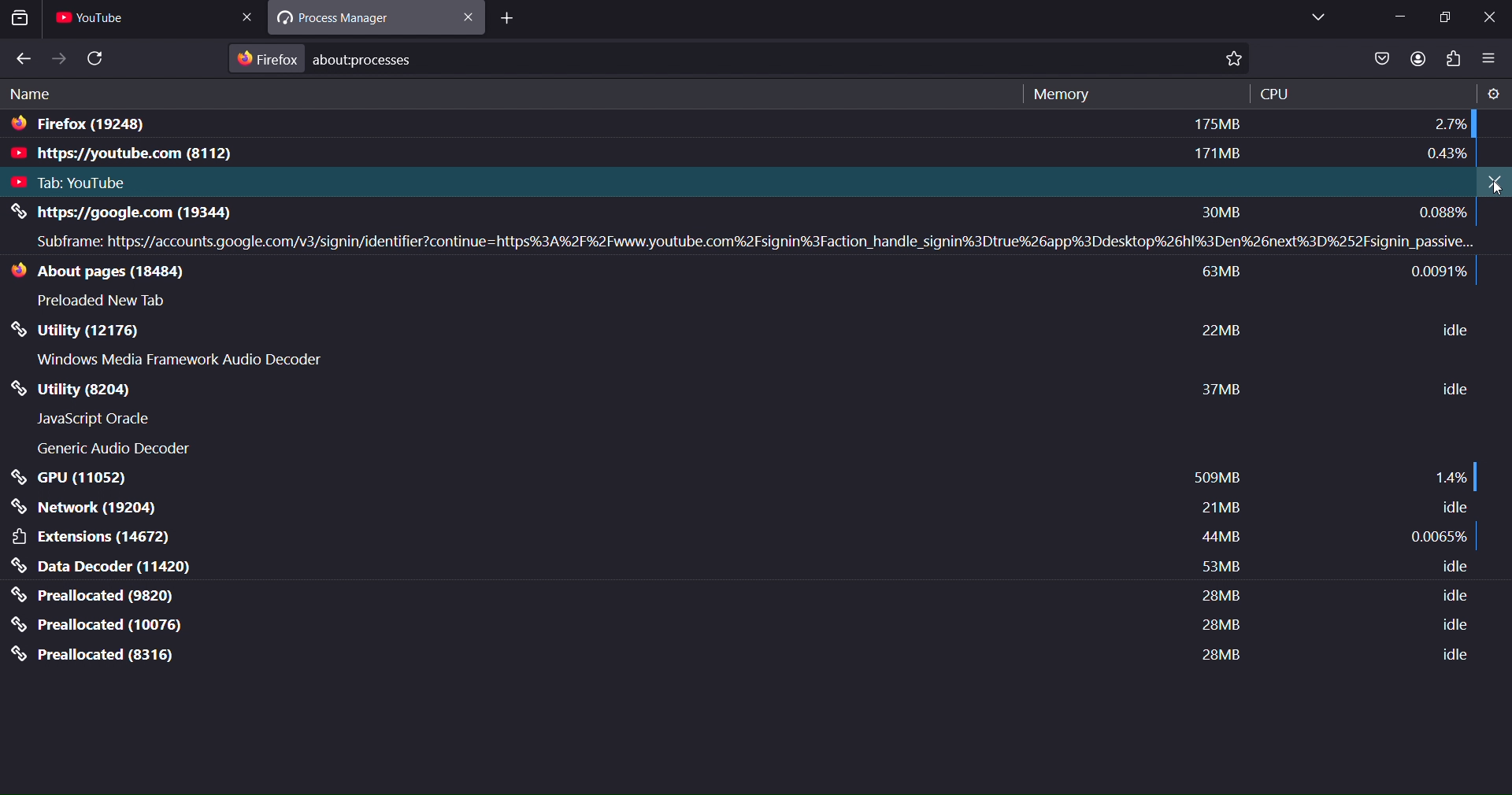  I want to click on firefox : about processes, so click(336, 58).